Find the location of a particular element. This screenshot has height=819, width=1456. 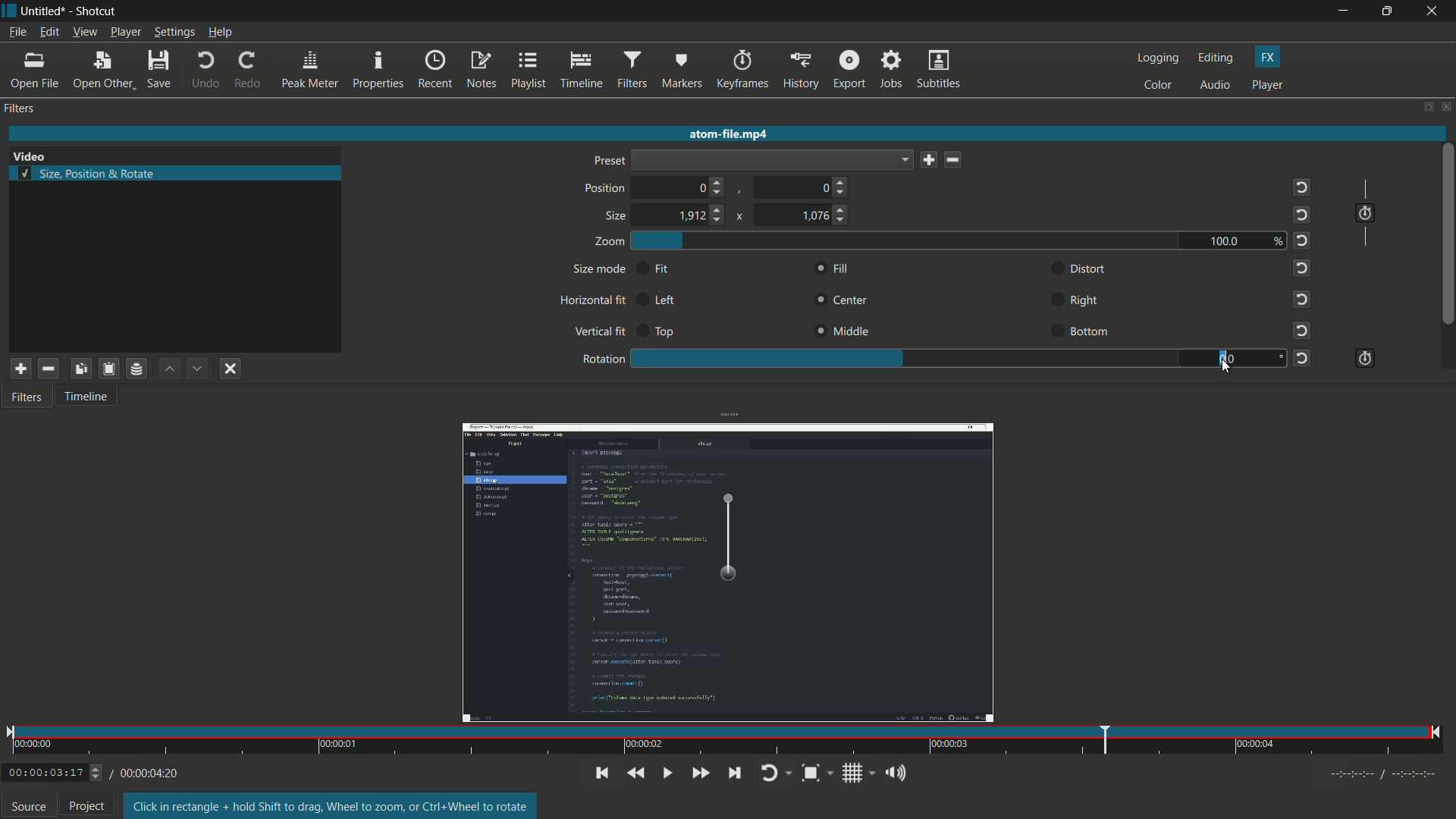

right is located at coordinates (1087, 301).